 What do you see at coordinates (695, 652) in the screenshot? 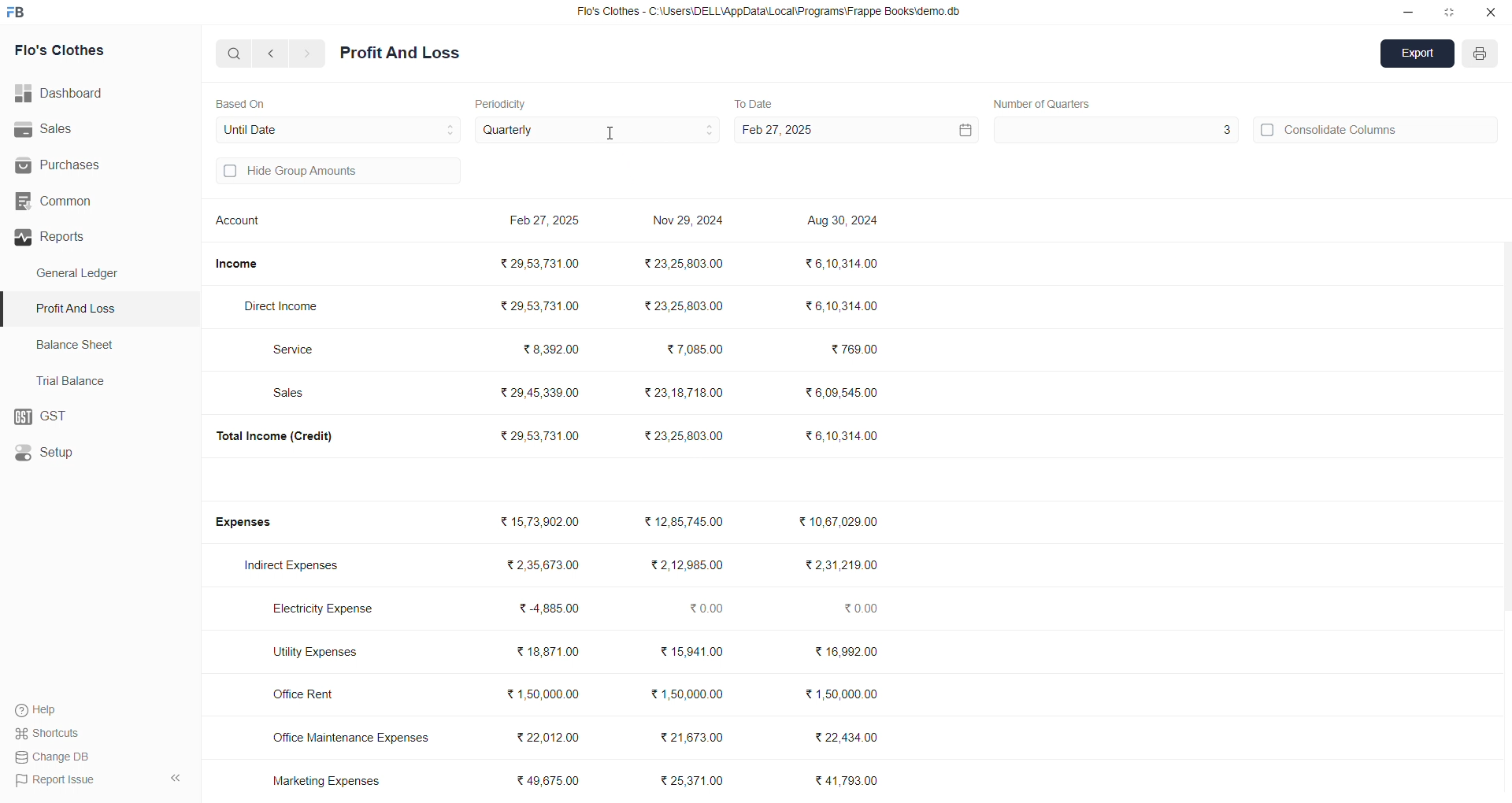
I see `₹15,941.00` at bounding box center [695, 652].